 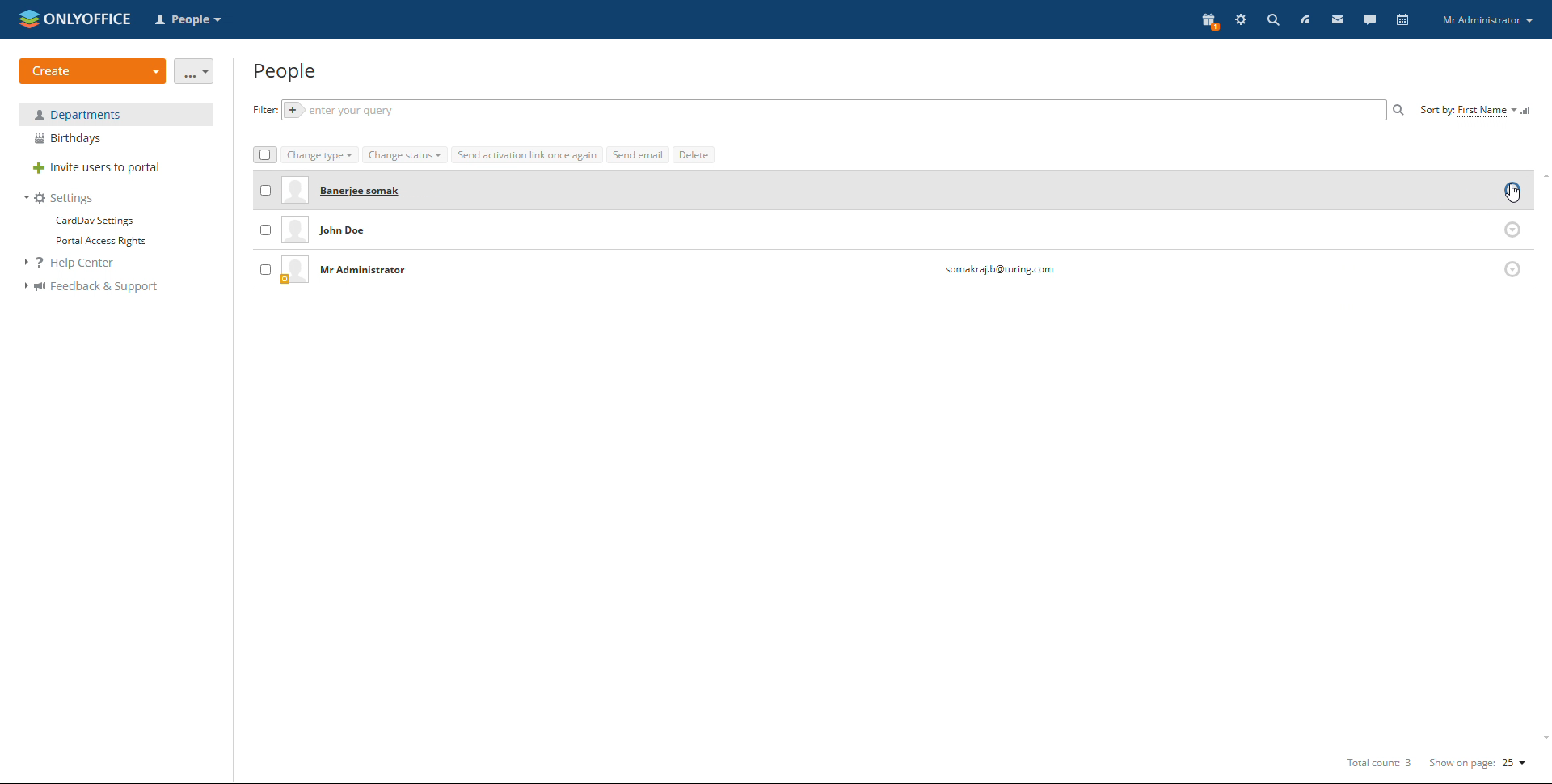 What do you see at coordinates (116, 139) in the screenshot?
I see `birthdays` at bounding box center [116, 139].